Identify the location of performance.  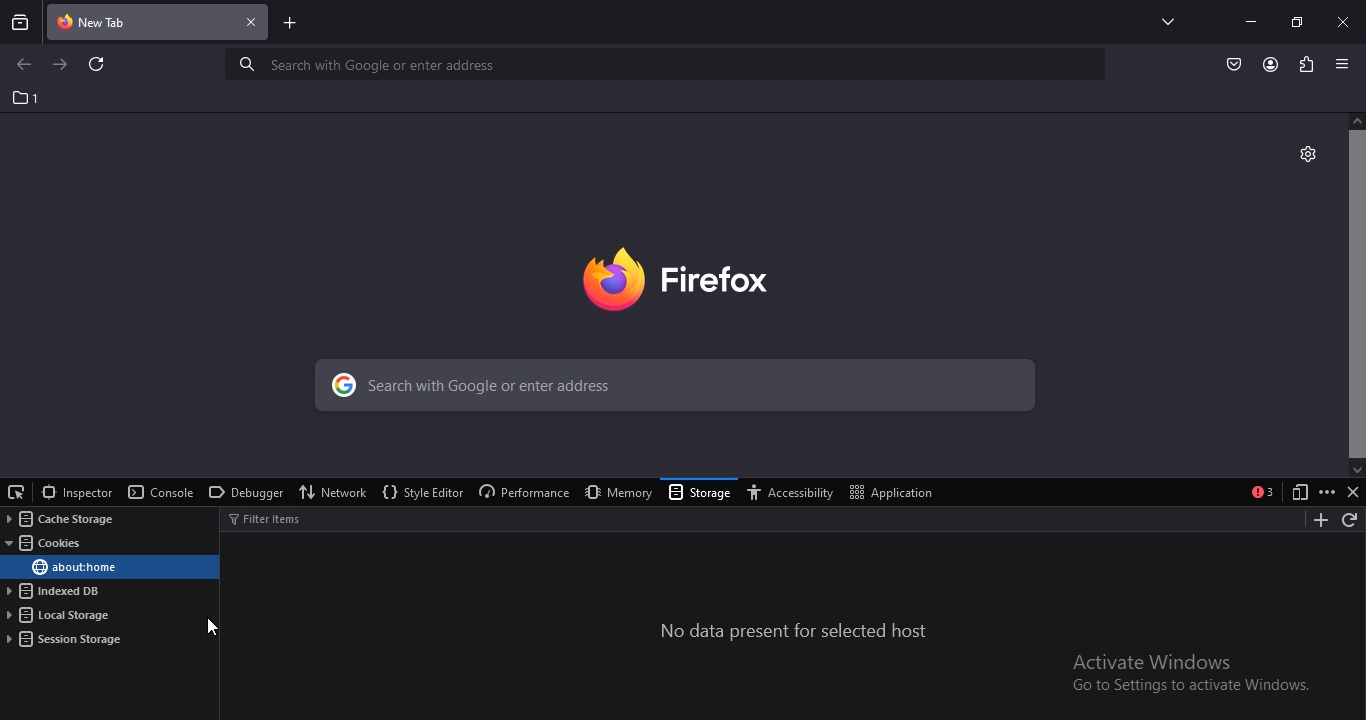
(521, 493).